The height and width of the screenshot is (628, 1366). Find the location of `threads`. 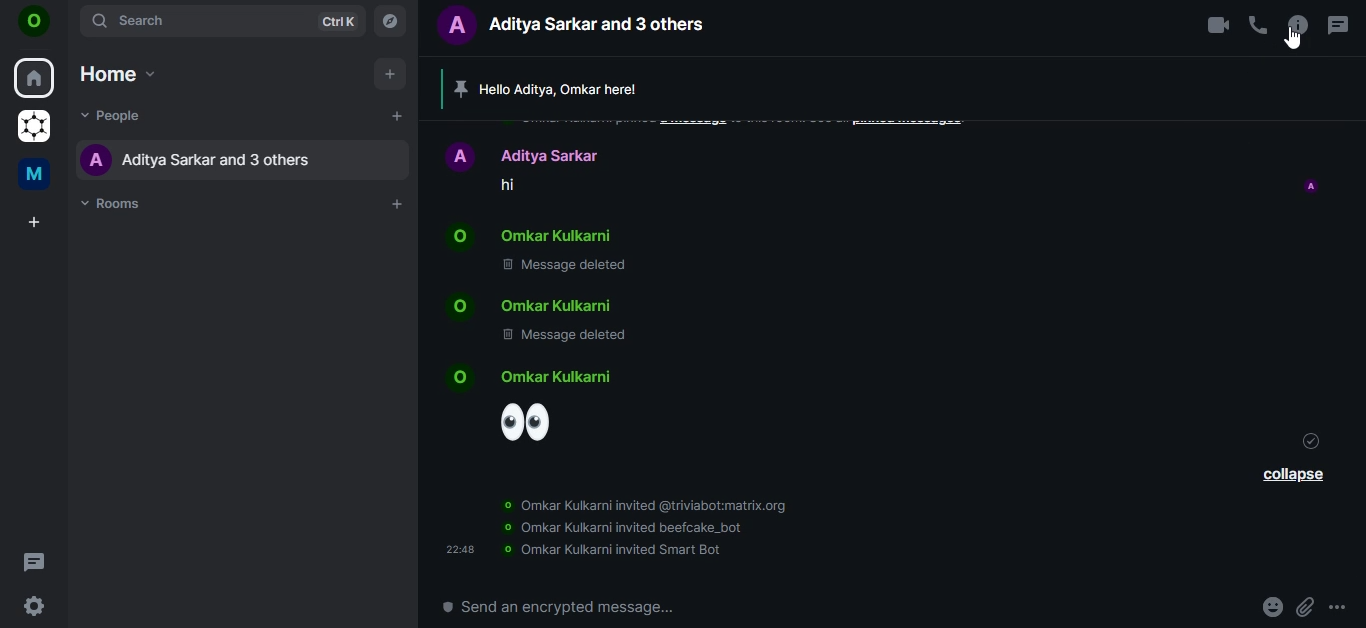

threads is located at coordinates (1338, 26).